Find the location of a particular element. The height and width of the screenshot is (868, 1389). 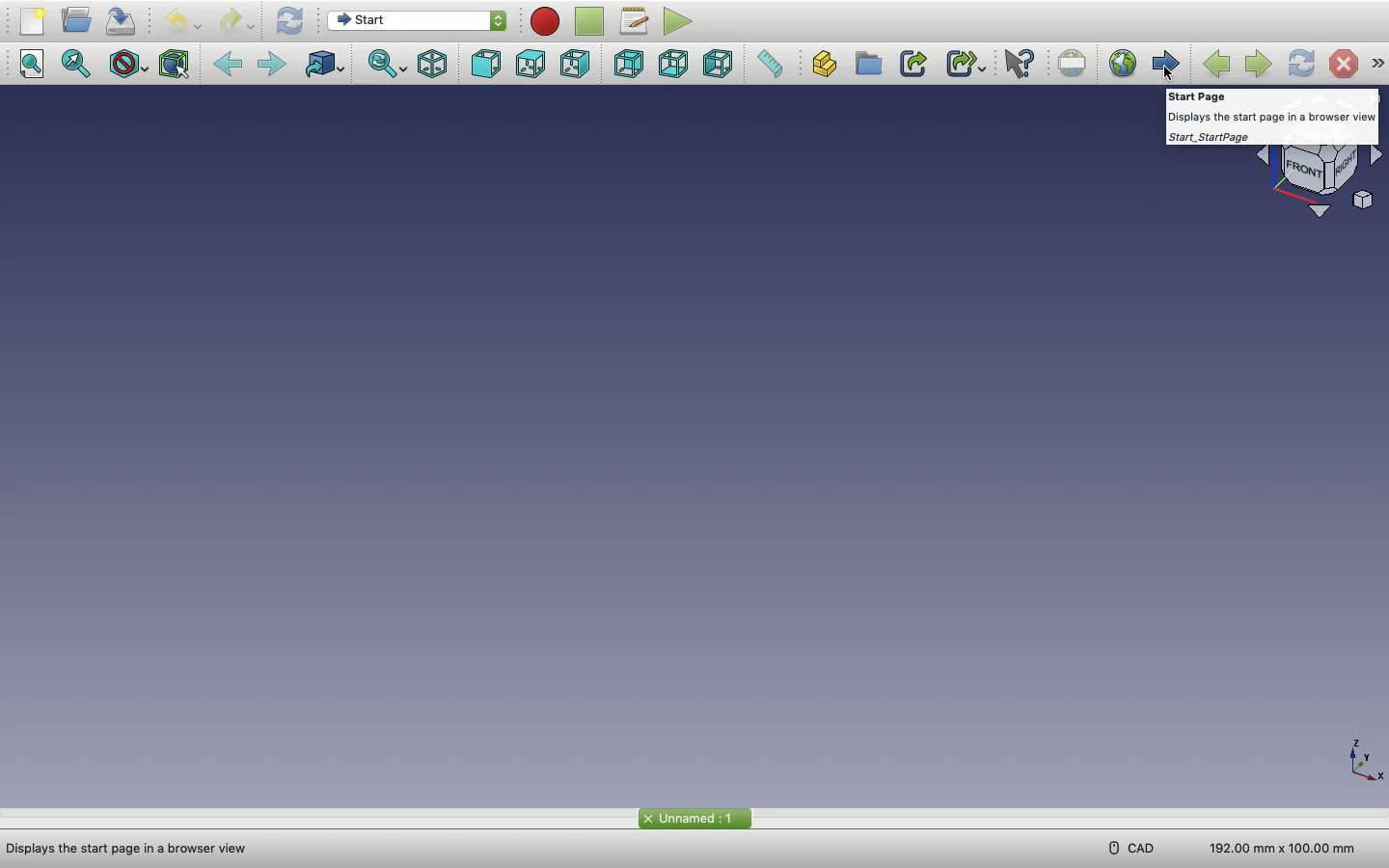

Dimension is located at coordinates (1285, 847).